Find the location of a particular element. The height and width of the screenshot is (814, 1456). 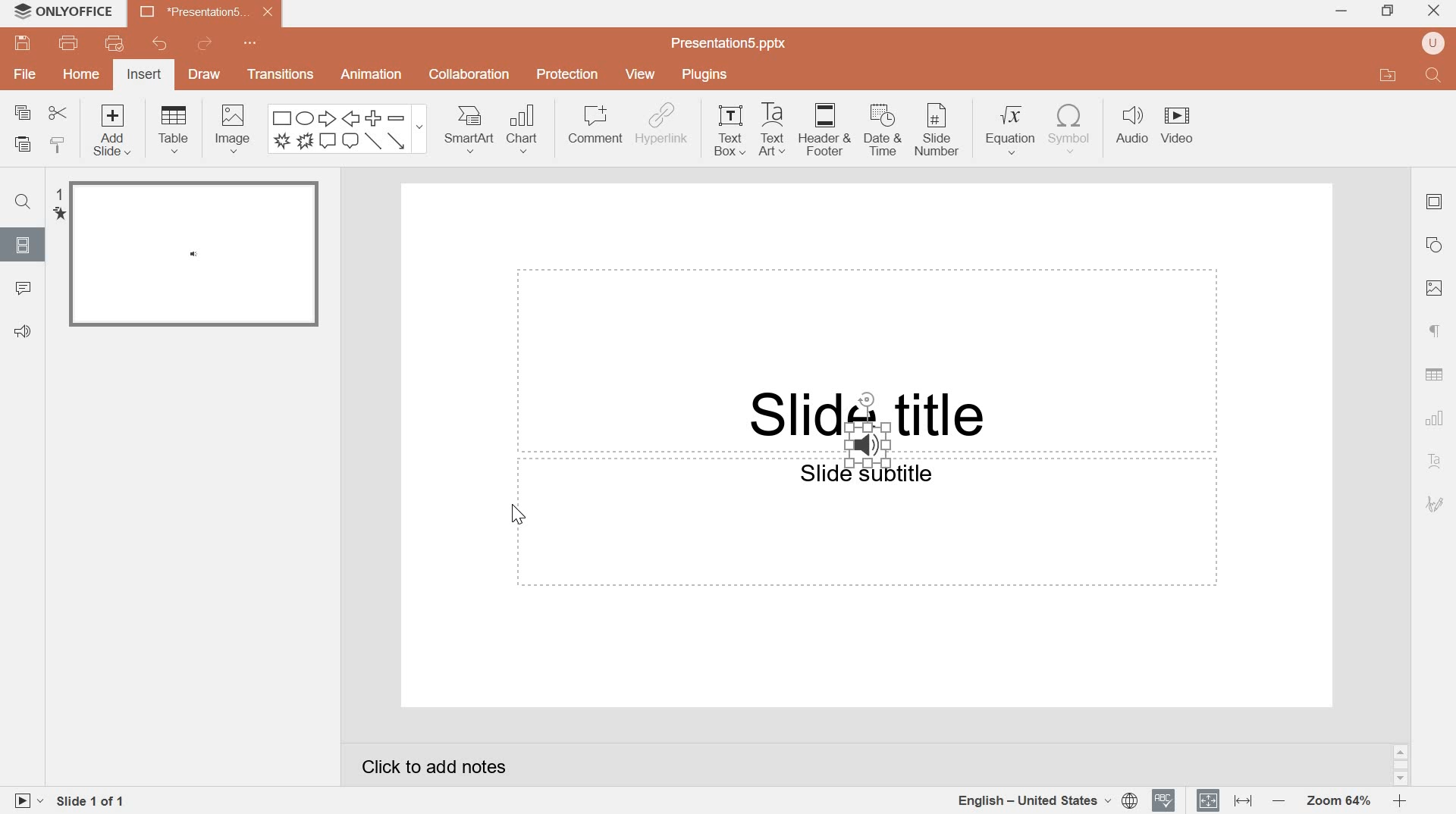

open file location is located at coordinates (1389, 74).